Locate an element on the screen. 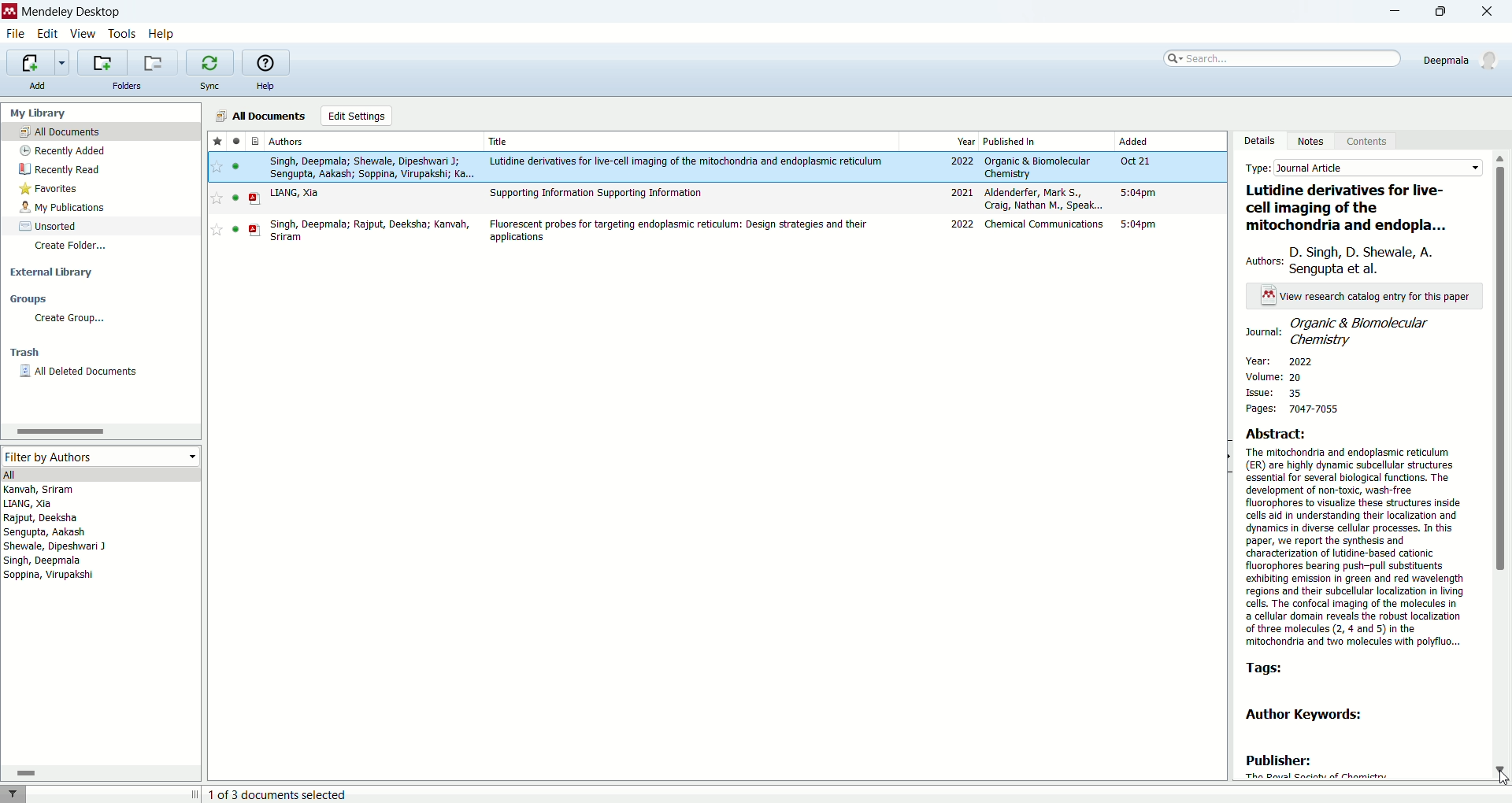  shewale, dipeshwari J is located at coordinates (55, 546).